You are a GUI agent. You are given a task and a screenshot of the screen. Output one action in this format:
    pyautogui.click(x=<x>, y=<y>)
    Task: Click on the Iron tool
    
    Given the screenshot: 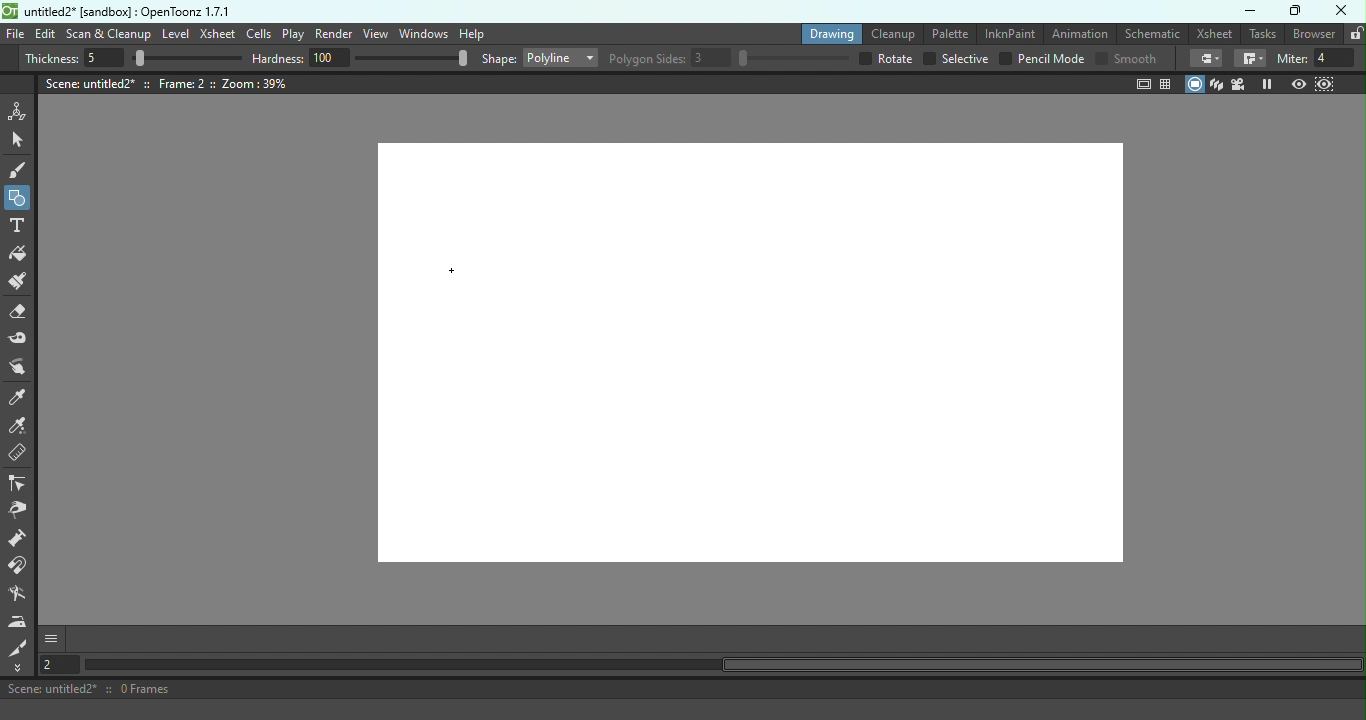 What is the action you would take?
    pyautogui.click(x=18, y=622)
    